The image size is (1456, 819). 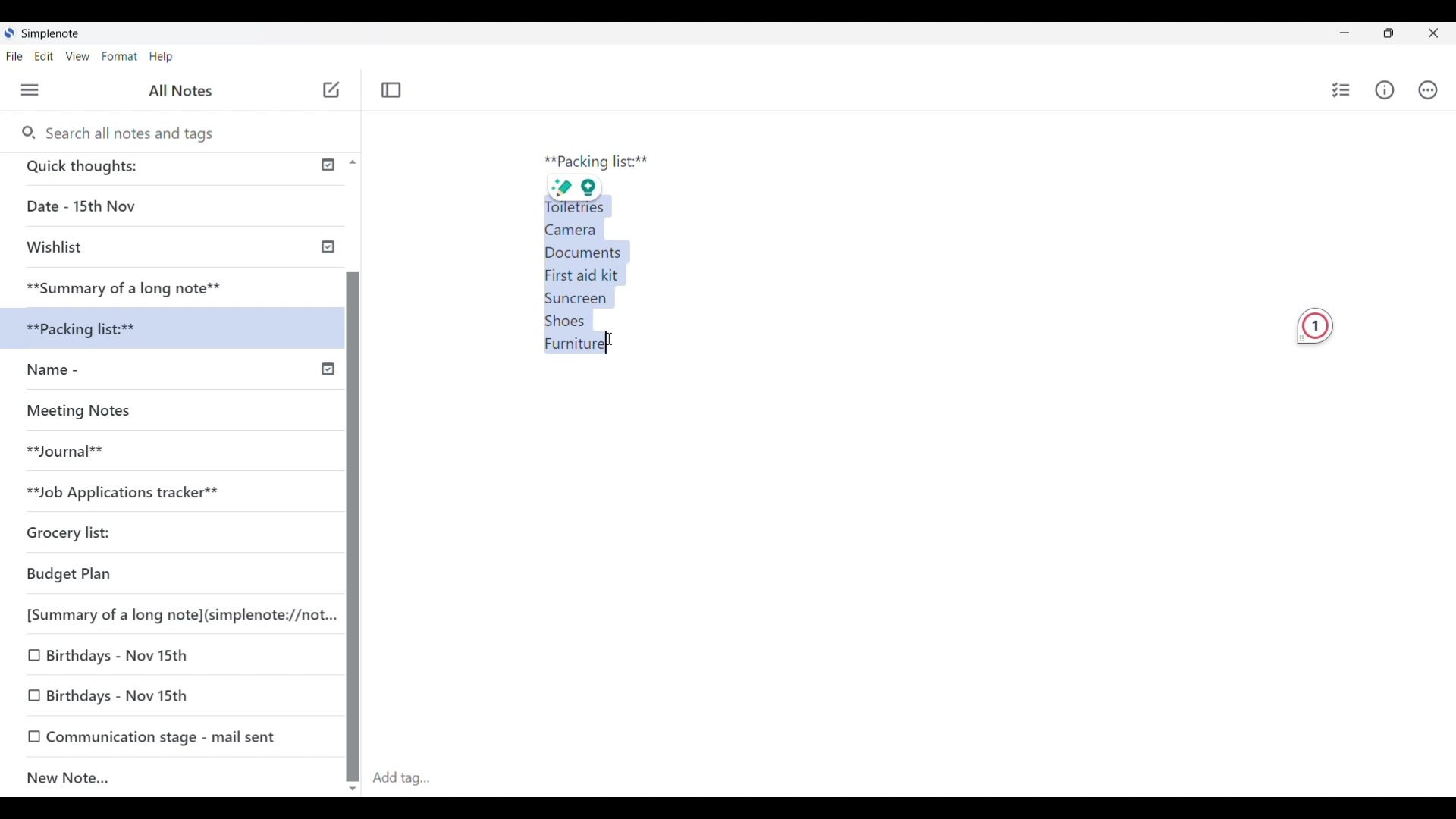 I want to click on Add new note, so click(x=331, y=89).